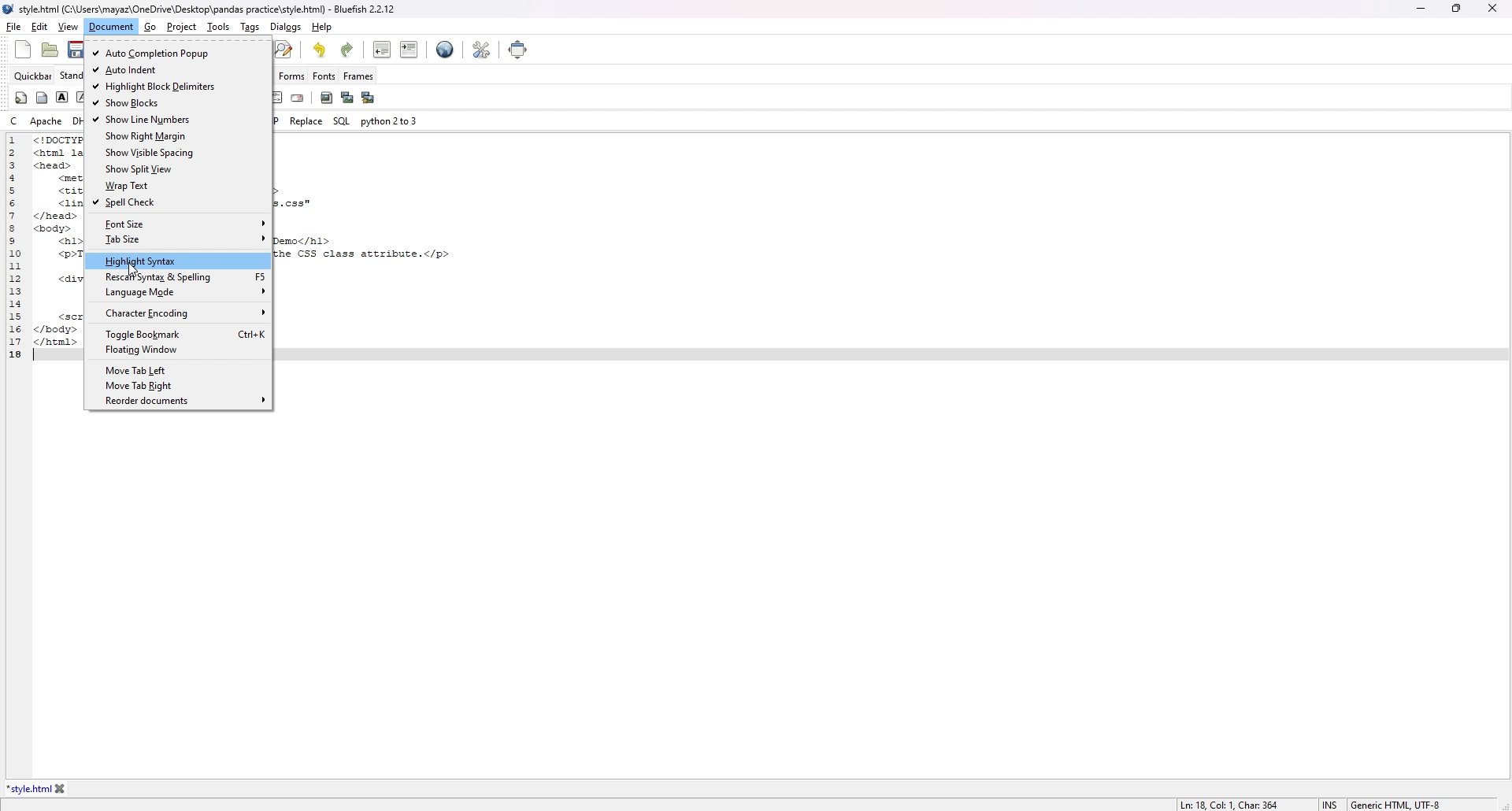 The image size is (1512, 811). What do you see at coordinates (177, 119) in the screenshot?
I see `show line numbers` at bounding box center [177, 119].